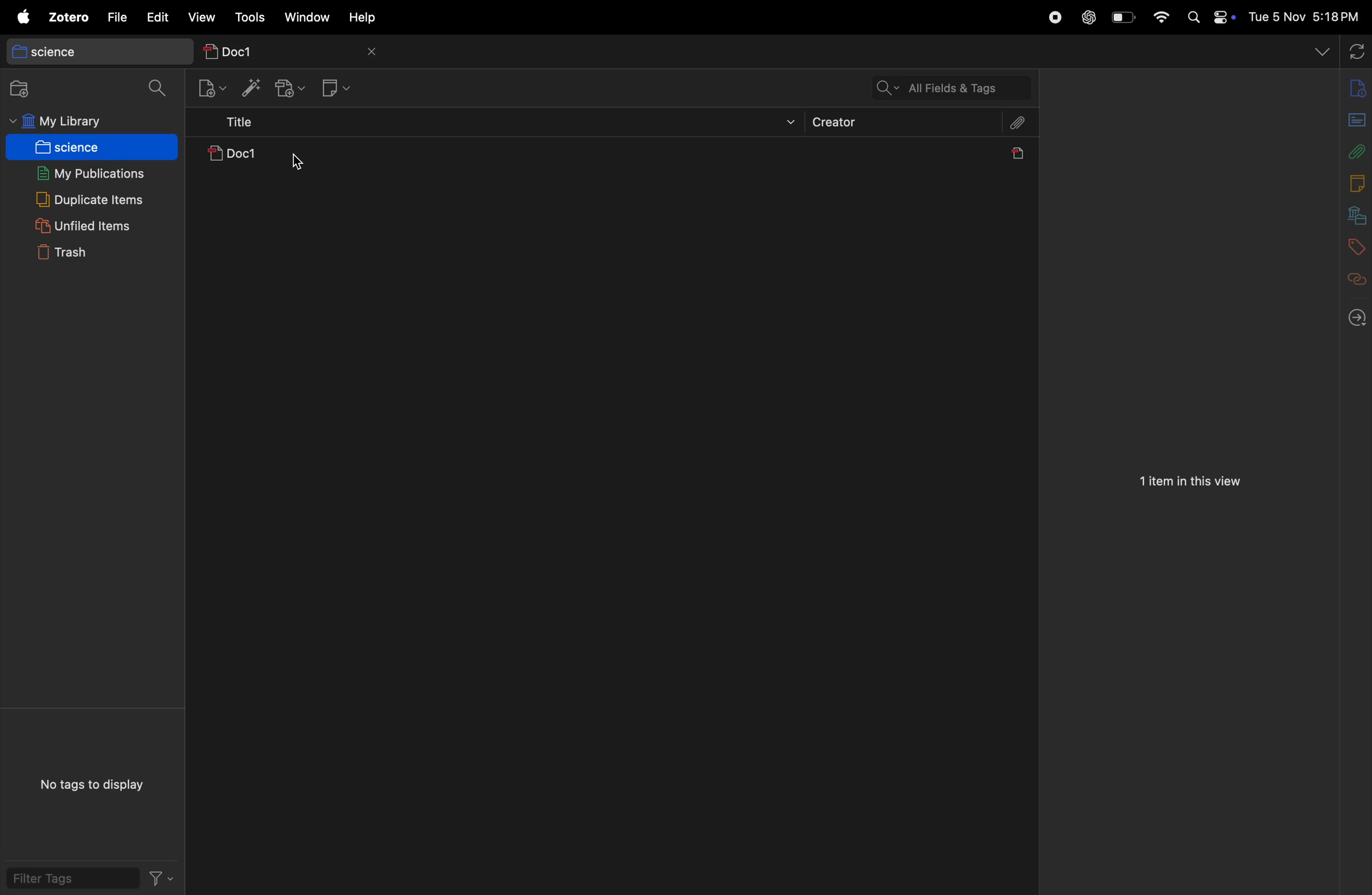 This screenshot has width=1372, height=895. I want to click on refresh, so click(1355, 50).